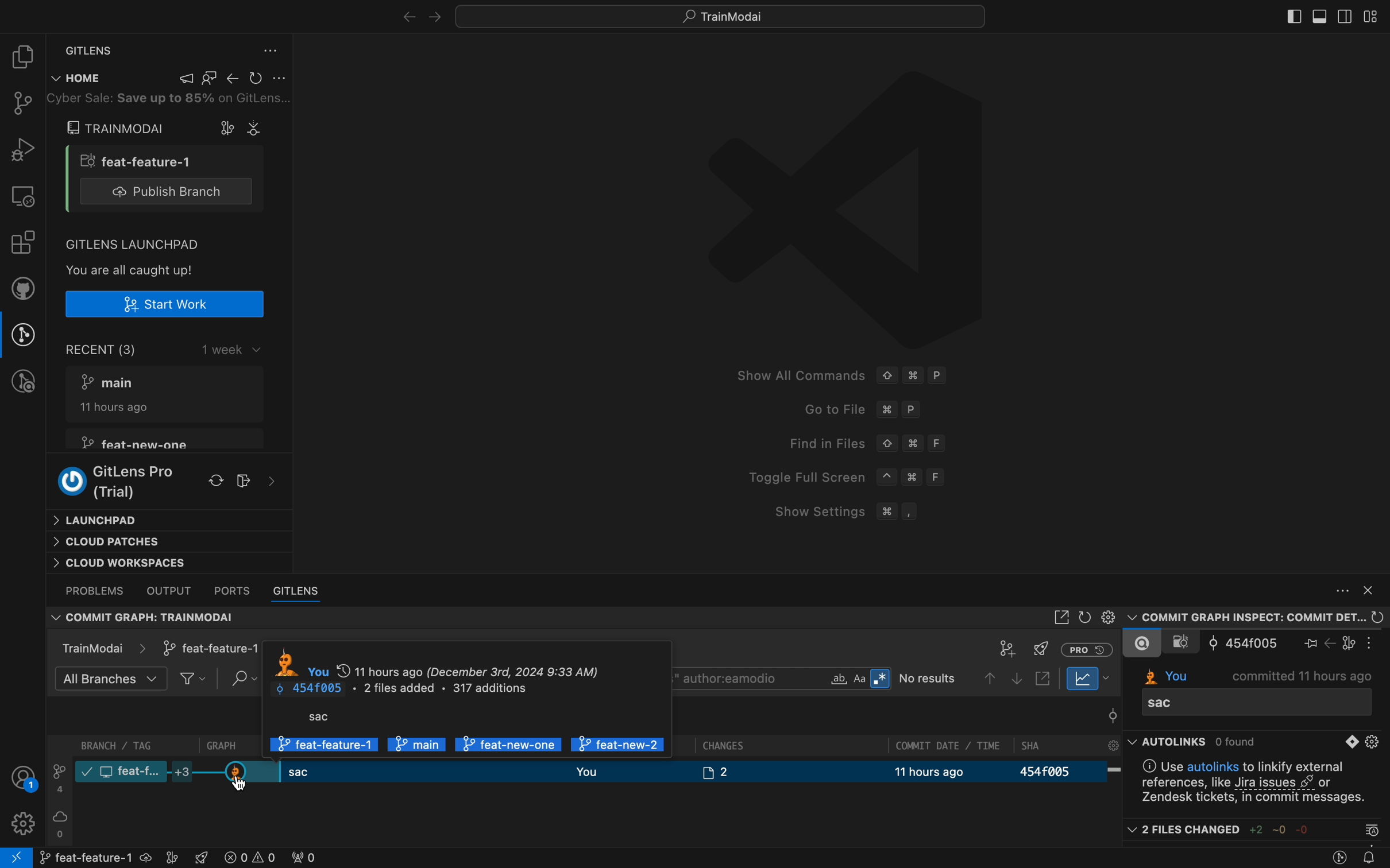 The image size is (1390, 868). What do you see at coordinates (108, 483) in the screenshot?
I see `oO GitLens Pro
(Trial)` at bounding box center [108, 483].